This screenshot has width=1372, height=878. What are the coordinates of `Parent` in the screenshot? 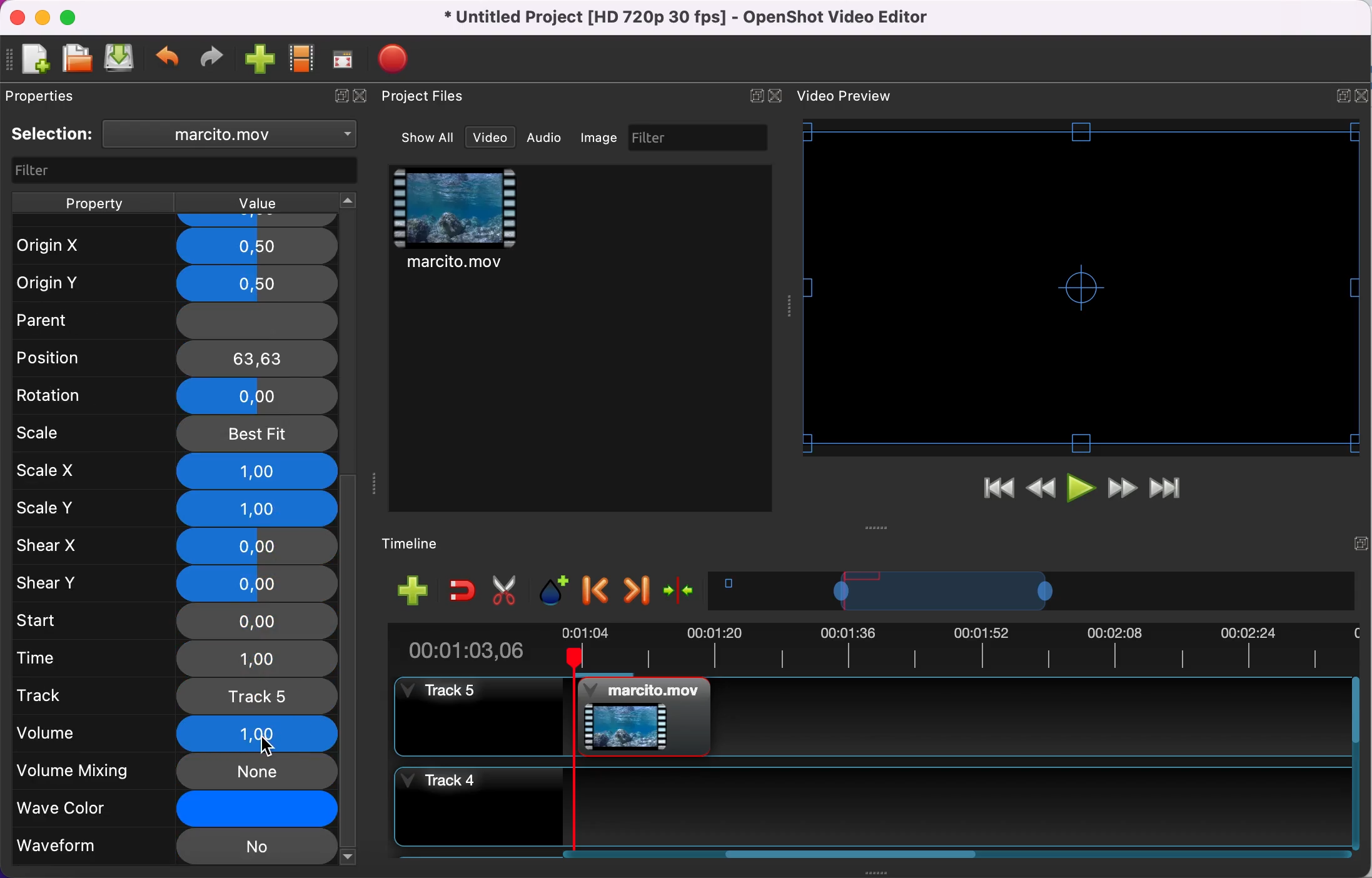 It's located at (173, 317).